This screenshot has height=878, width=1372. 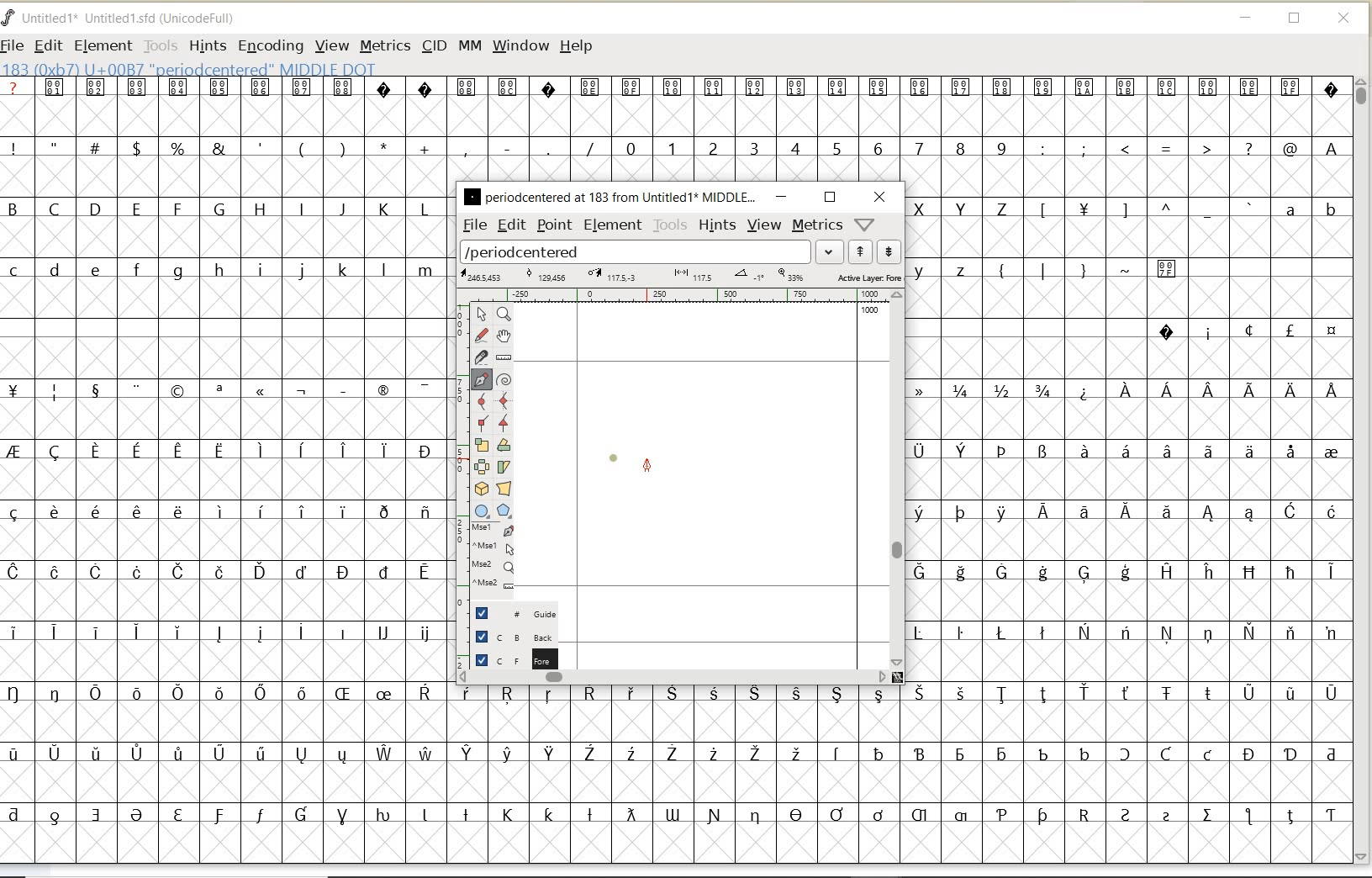 I want to click on foreground, so click(x=510, y=658).